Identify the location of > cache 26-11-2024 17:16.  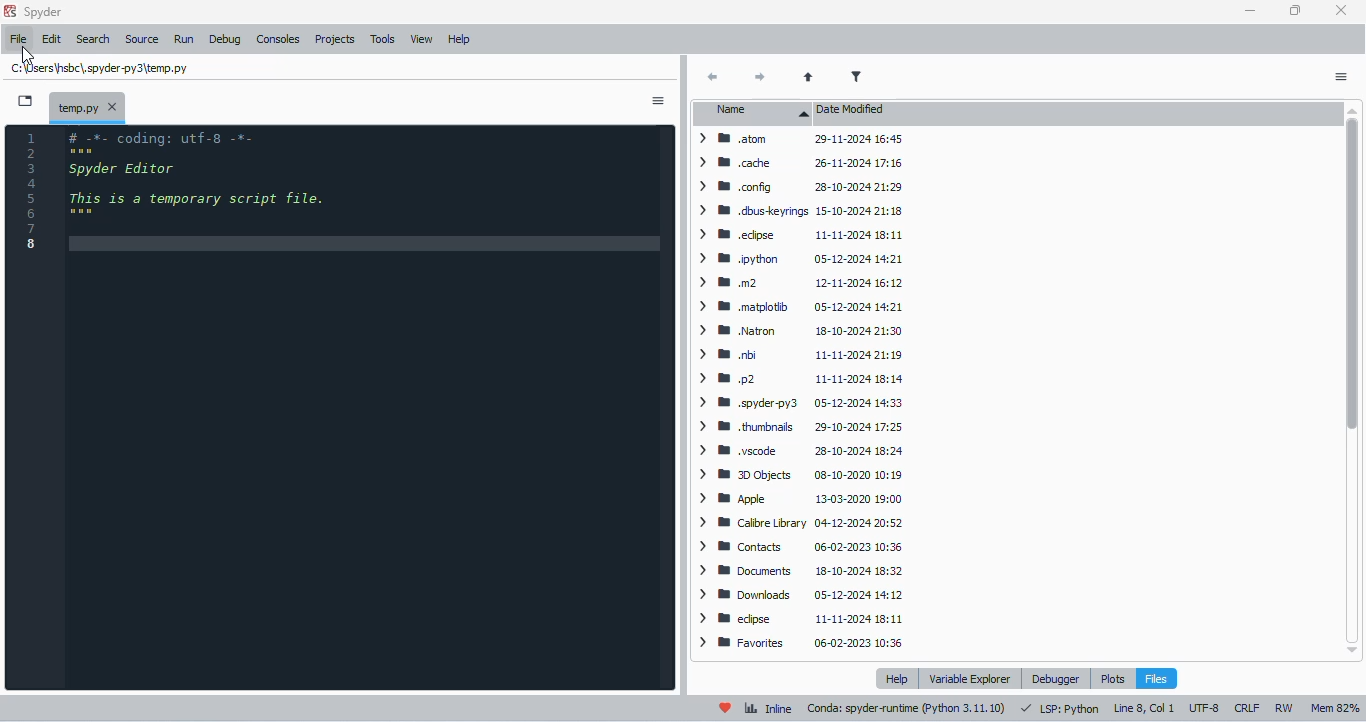
(795, 162).